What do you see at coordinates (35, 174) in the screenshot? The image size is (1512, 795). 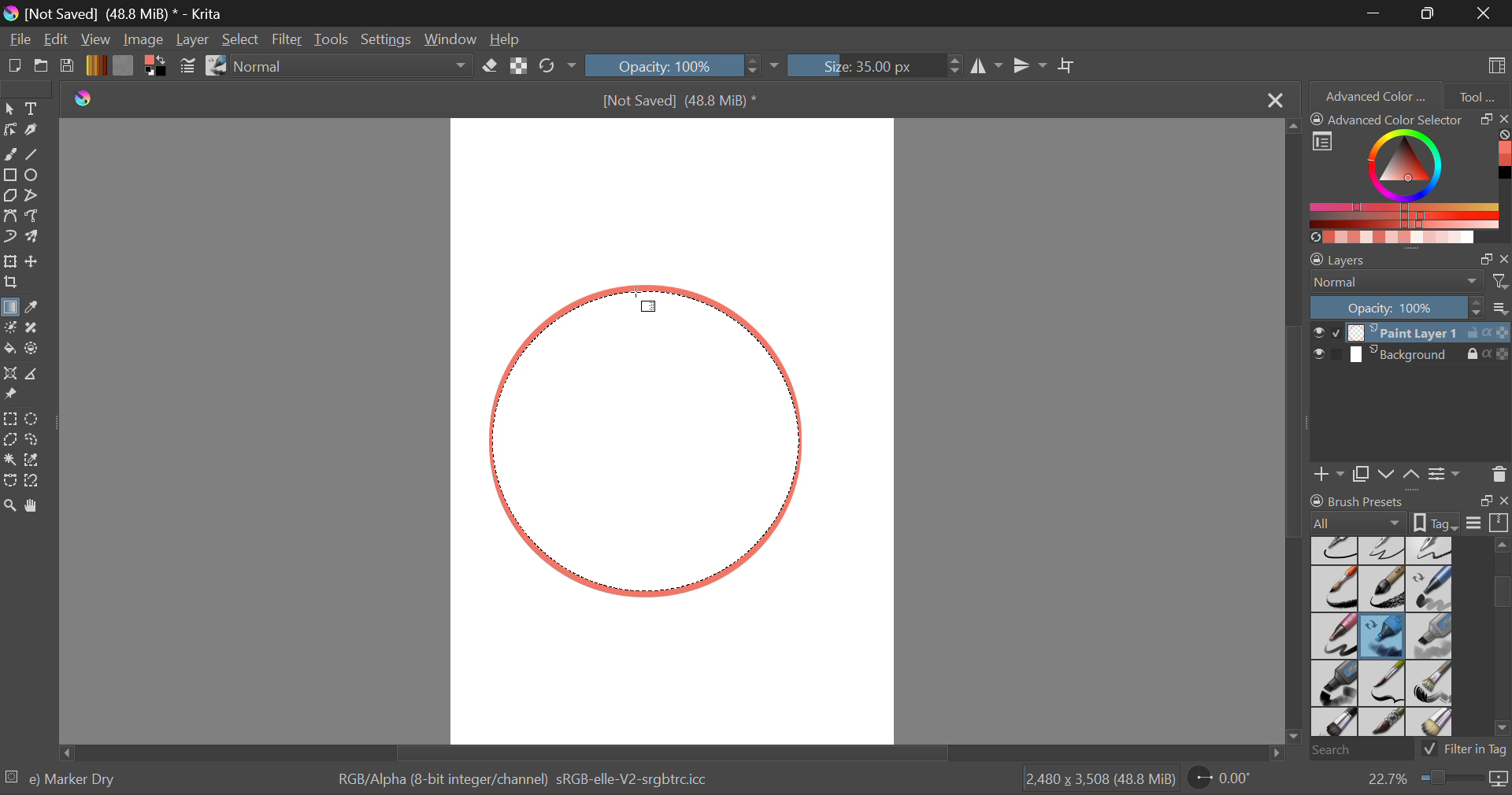 I see `Elipses Selected` at bounding box center [35, 174].